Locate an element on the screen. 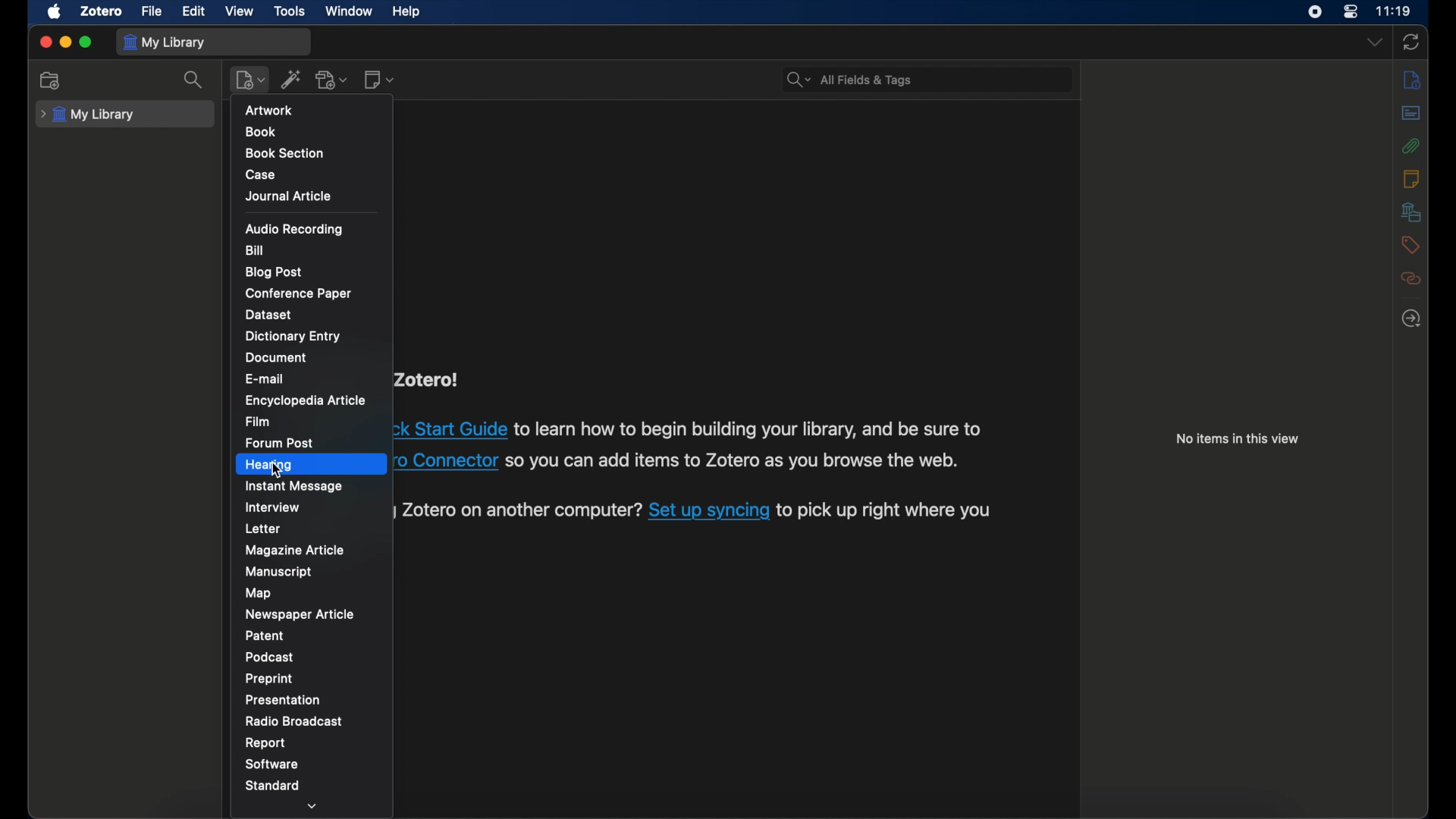 This screenshot has width=1456, height=819. instant message is located at coordinates (296, 486).